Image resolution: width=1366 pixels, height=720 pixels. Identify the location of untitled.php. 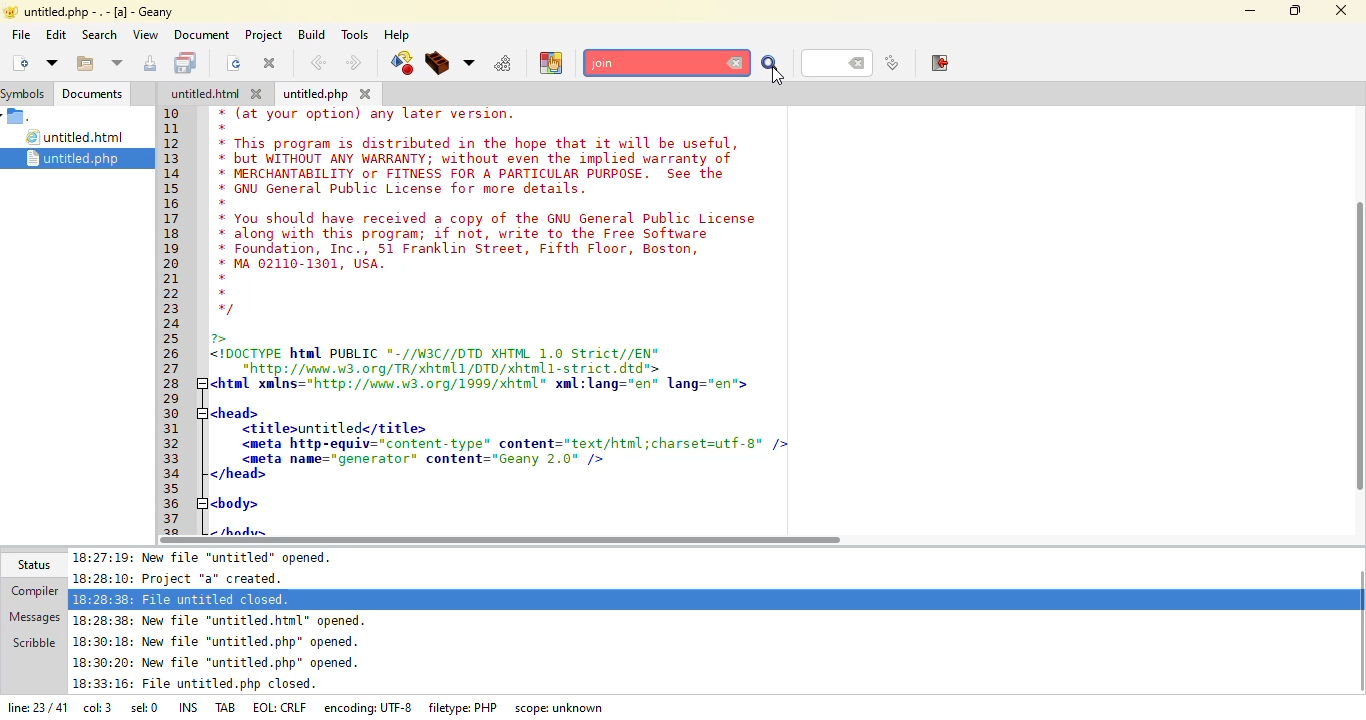
(316, 95).